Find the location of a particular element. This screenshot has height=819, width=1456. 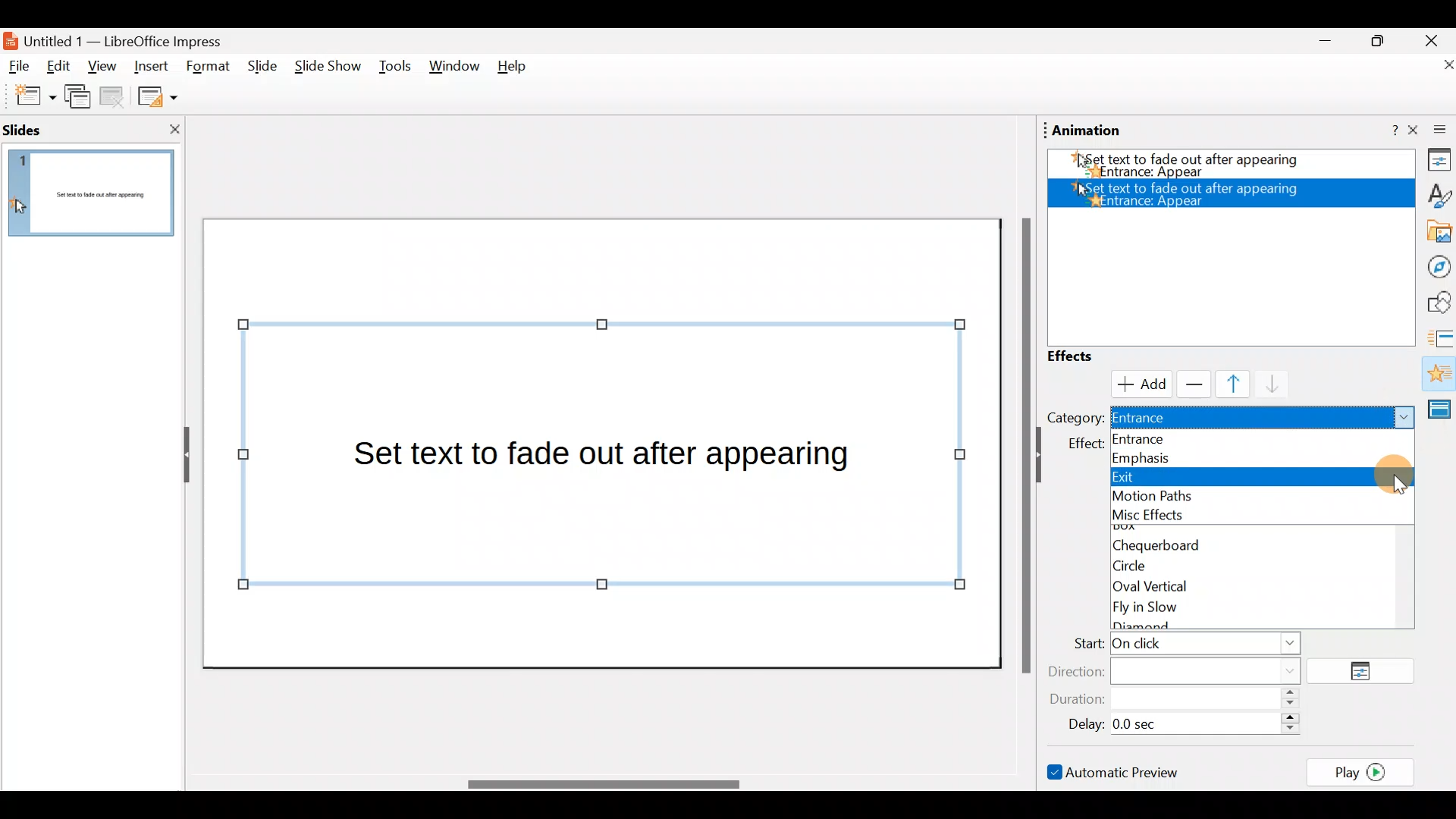

Automatic preview is located at coordinates (1116, 771).